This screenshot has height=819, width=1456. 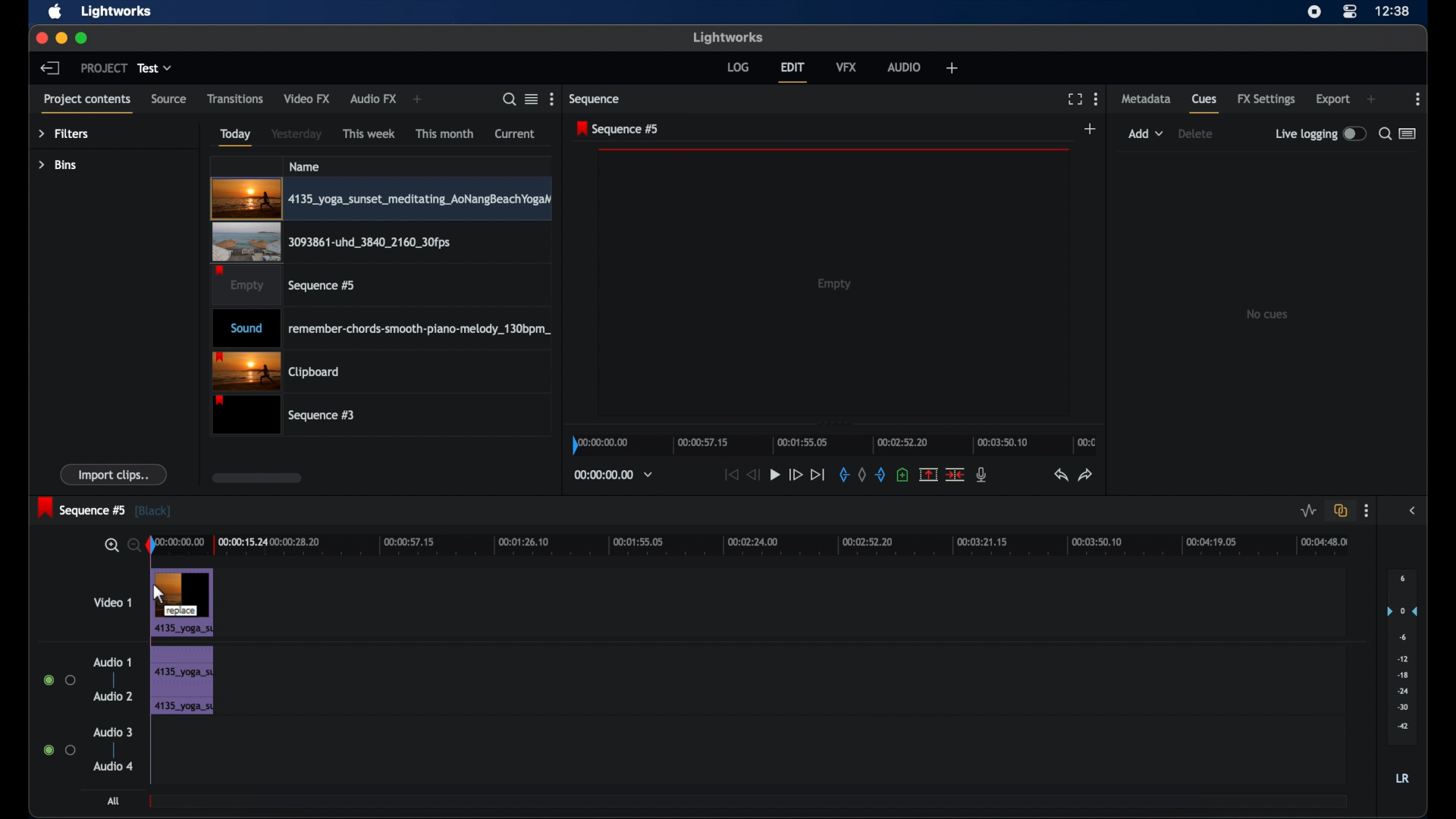 I want to click on video clip, so click(x=331, y=243).